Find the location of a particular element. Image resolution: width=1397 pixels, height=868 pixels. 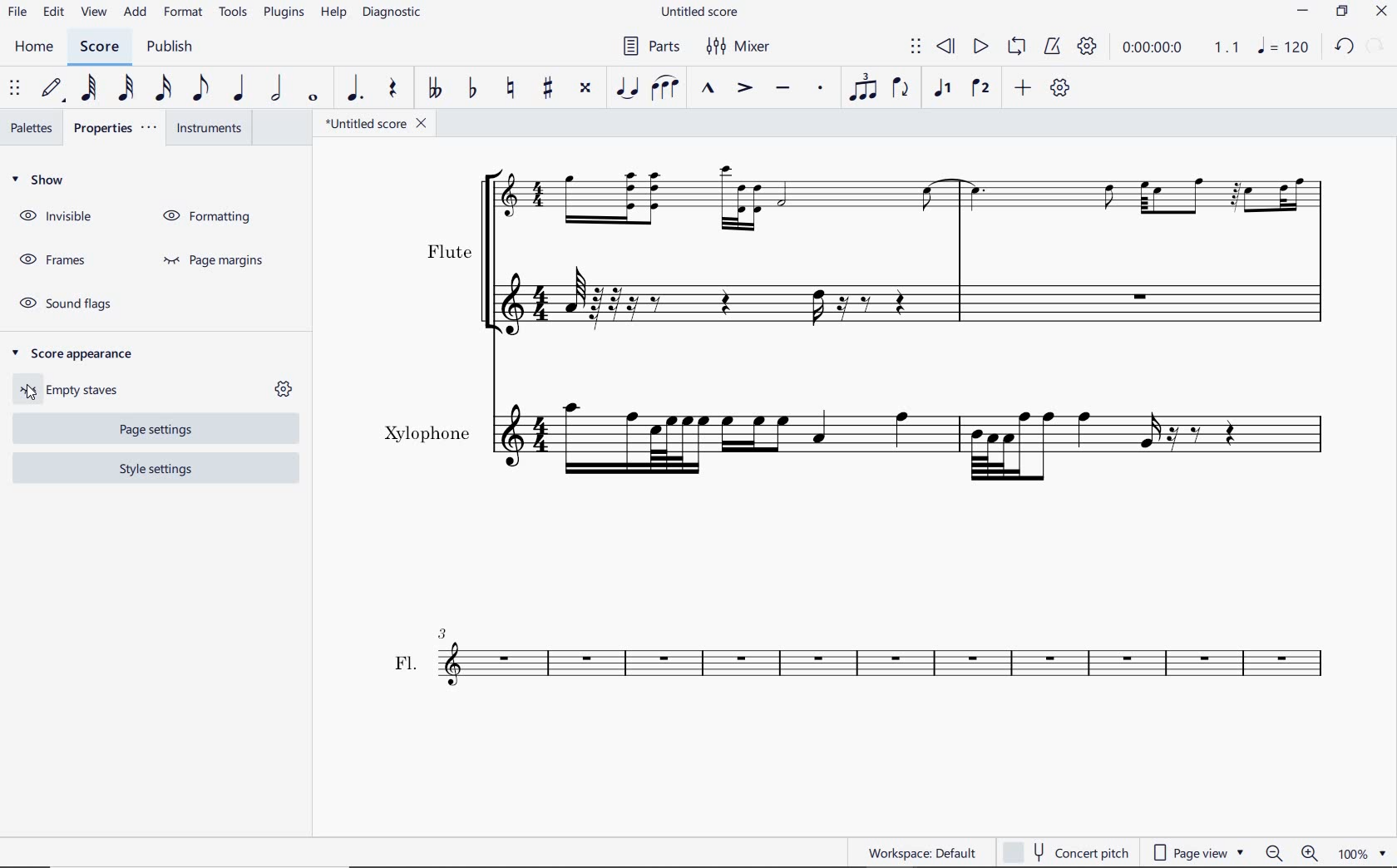

workspace default is located at coordinates (921, 853).